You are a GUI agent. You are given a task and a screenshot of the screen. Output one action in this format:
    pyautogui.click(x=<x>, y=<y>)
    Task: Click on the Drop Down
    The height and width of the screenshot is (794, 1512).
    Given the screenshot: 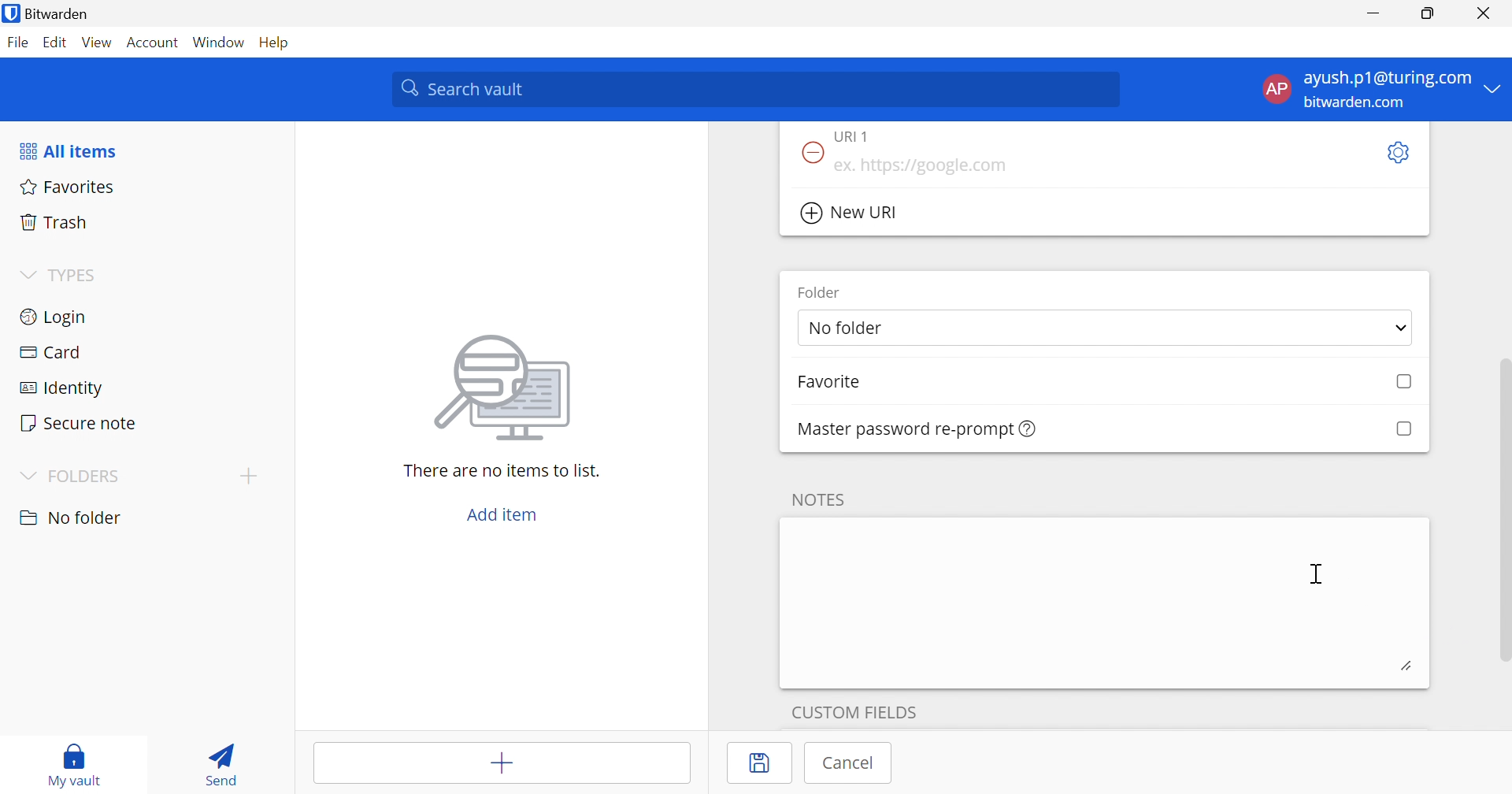 What is the action you would take?
    pyautogui.click(x=1402, y=330)
    